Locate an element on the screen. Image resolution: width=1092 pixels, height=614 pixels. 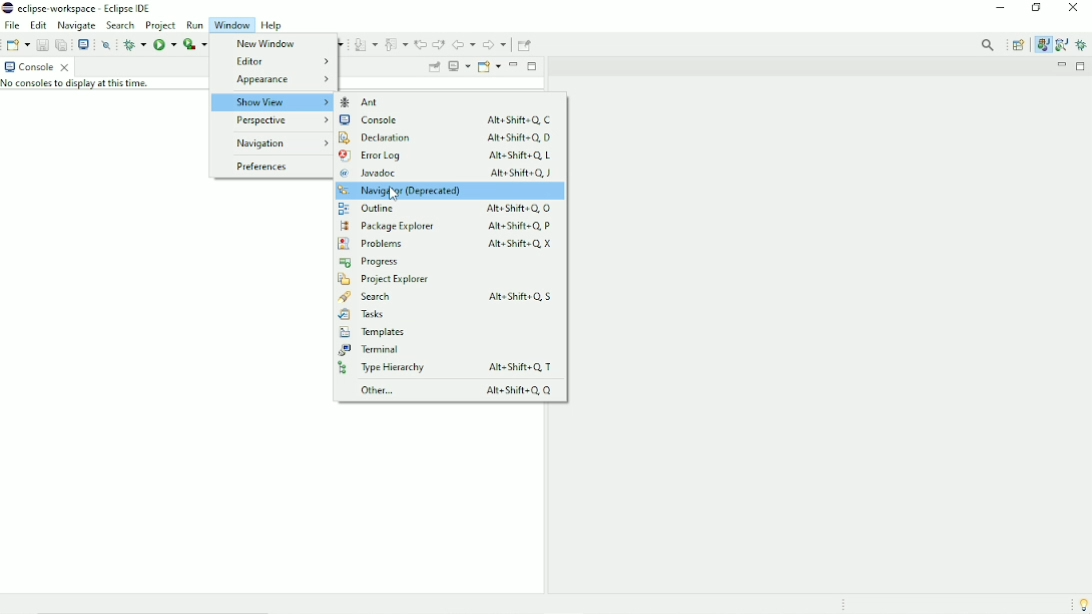
Display selected console is located at coordinates (459, 67).